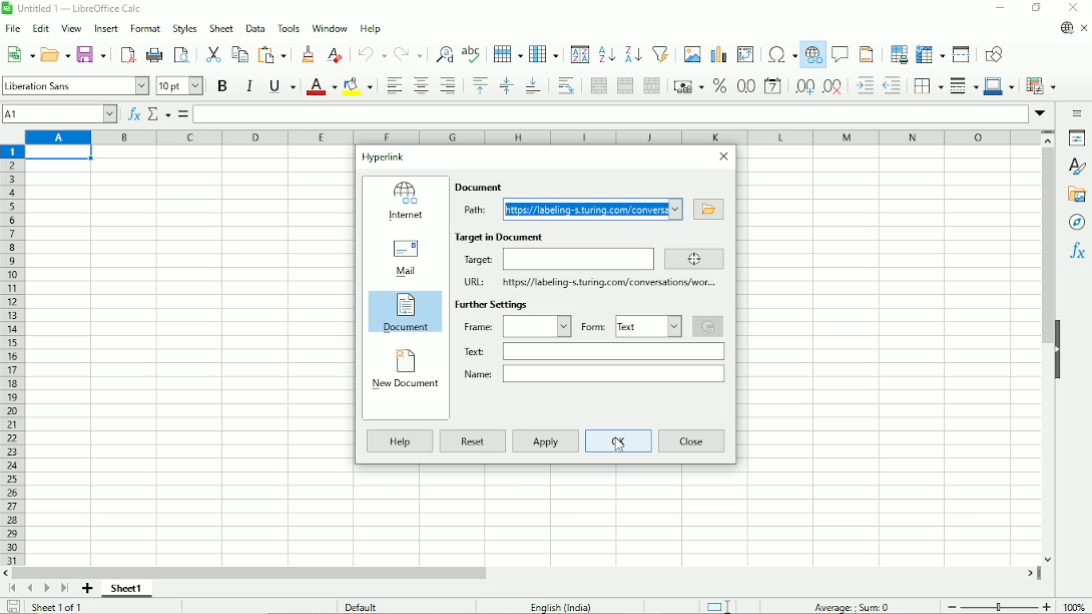 The image size is (1092, 614). What do you see at coordinates (359, 86) in the screenshot?
I see `Background color` at bounding box center [359, 86].